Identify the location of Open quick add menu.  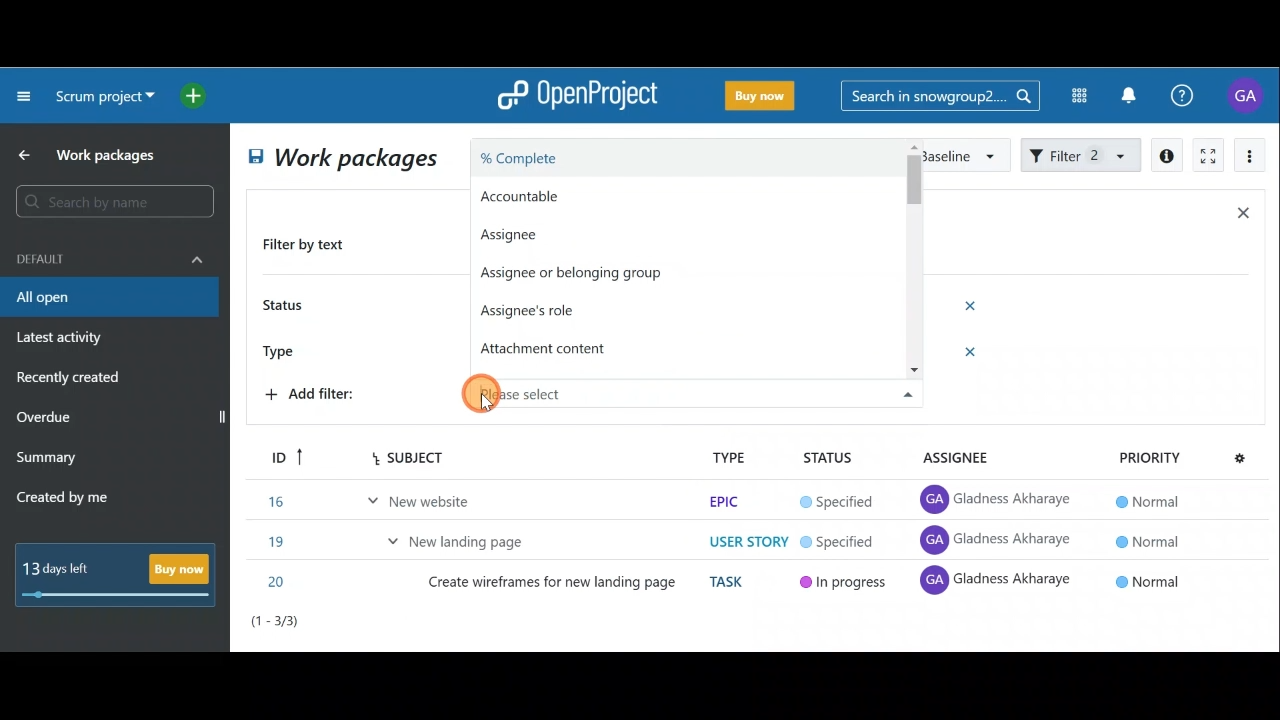
(197, 96).